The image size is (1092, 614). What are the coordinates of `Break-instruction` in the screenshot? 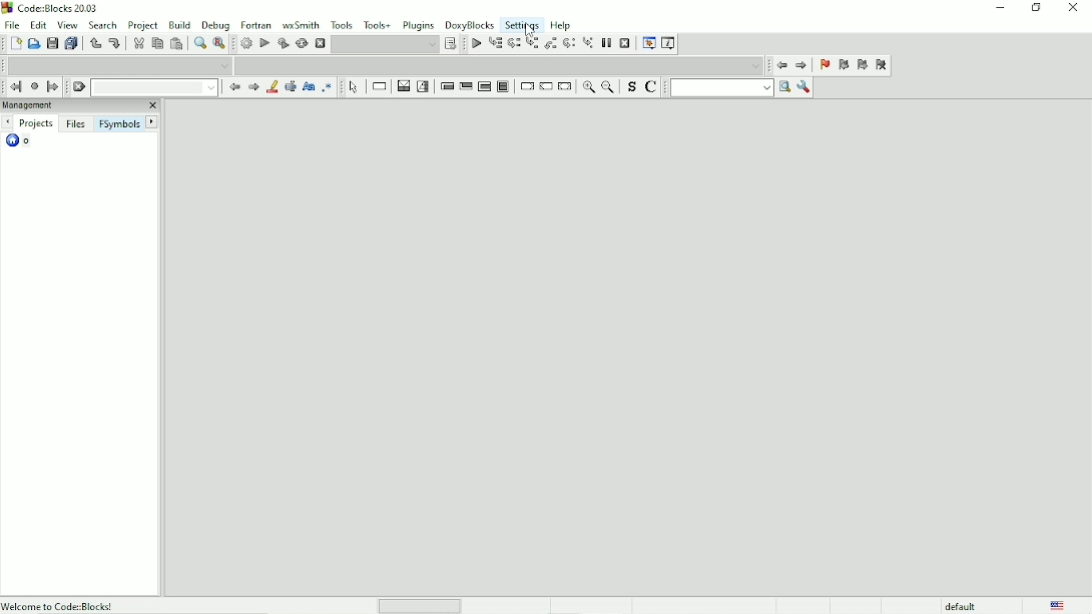 It's located at (526, 87).